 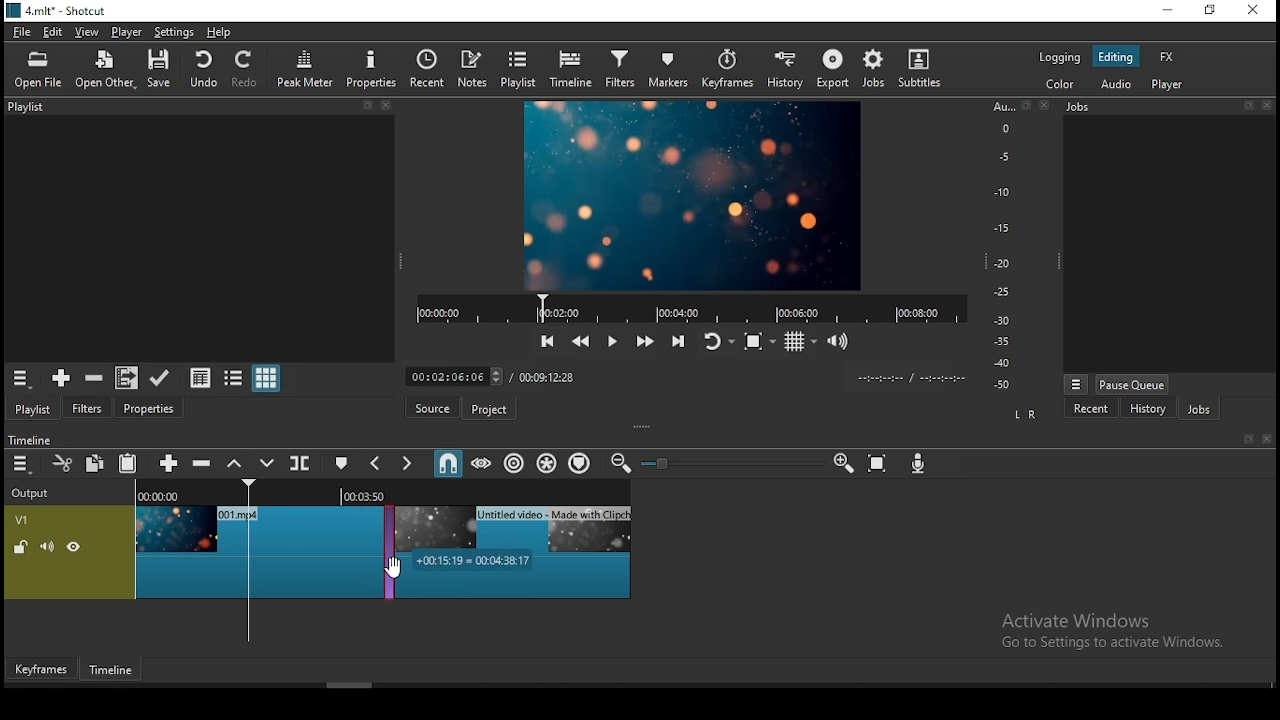 I want to click on scale, so click(x=1007, y=243).